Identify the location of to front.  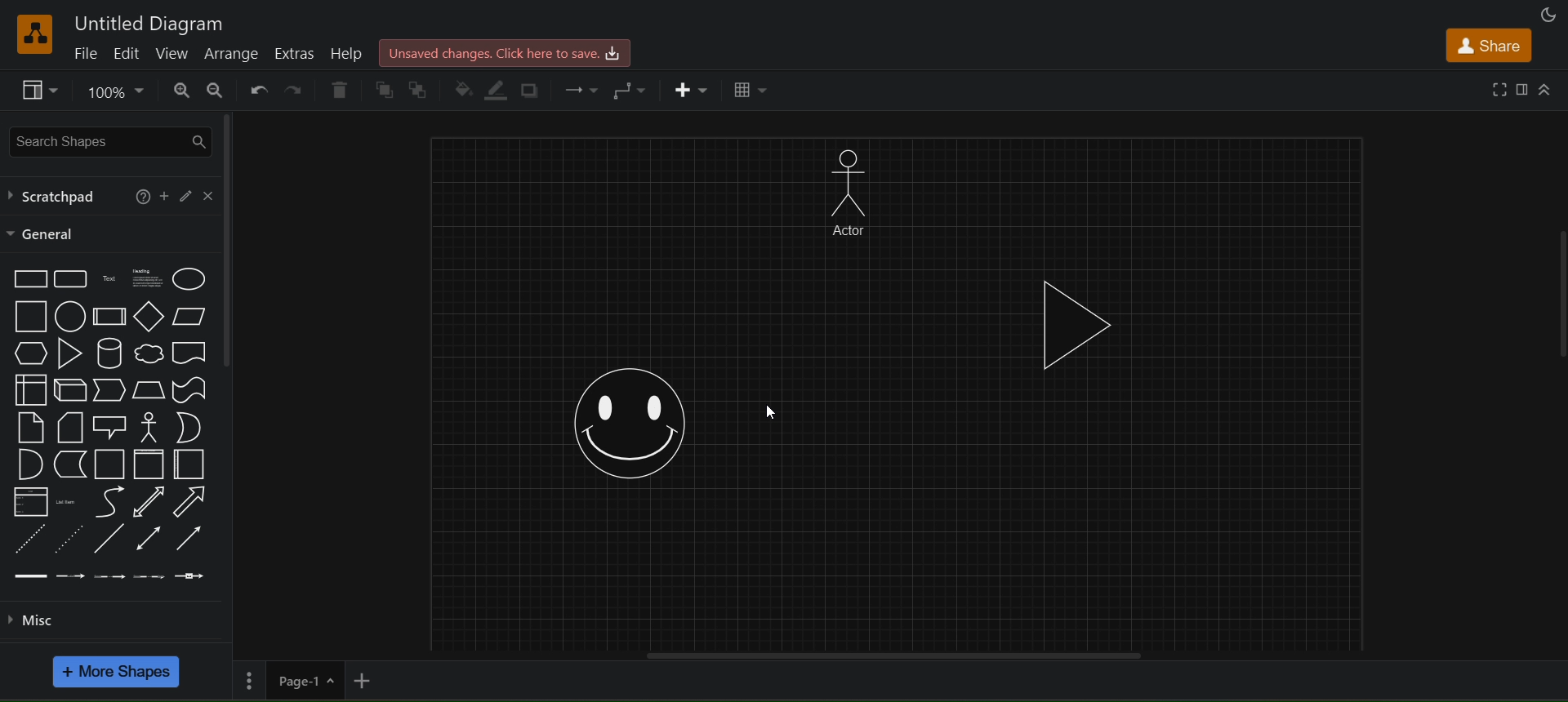
(384, 87).